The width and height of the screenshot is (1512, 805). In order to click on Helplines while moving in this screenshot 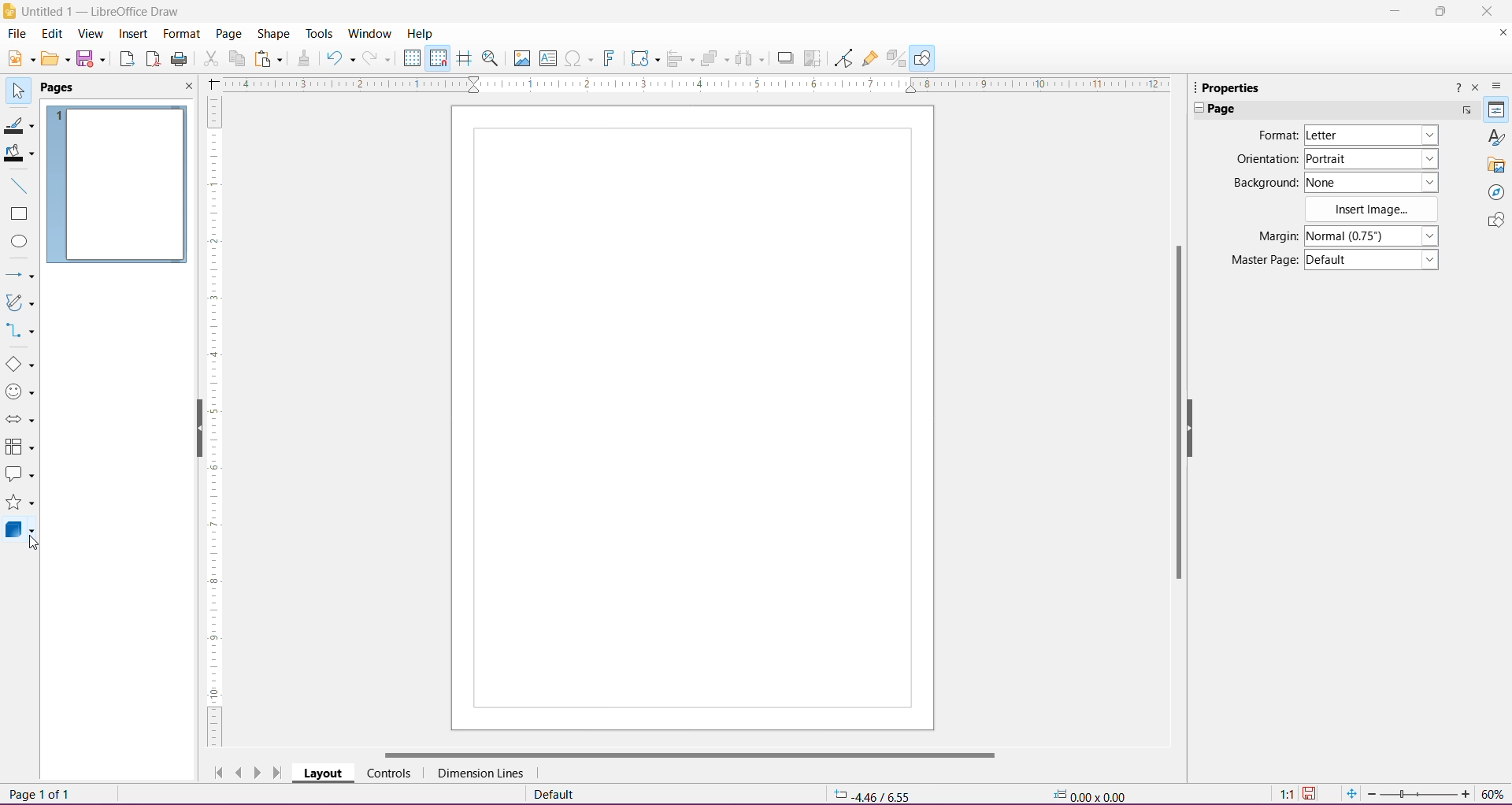, I will do `click(465, 58)`.